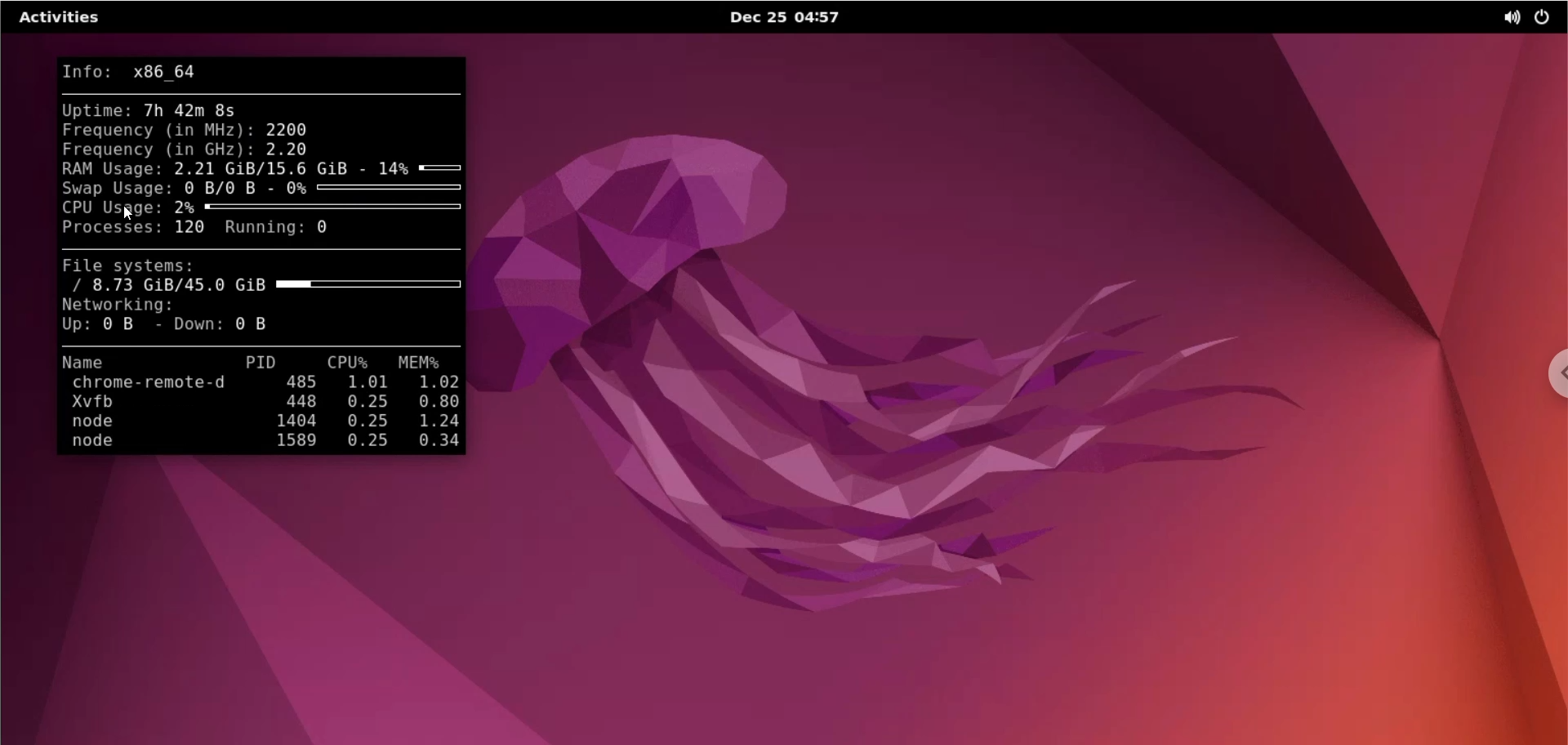 Image resolution: width=1568 pixels, height=745 pixels. What do you see at coordinates (337, 363) in the screenshot?
I see `CPU%` at bounding box center [337, 363].